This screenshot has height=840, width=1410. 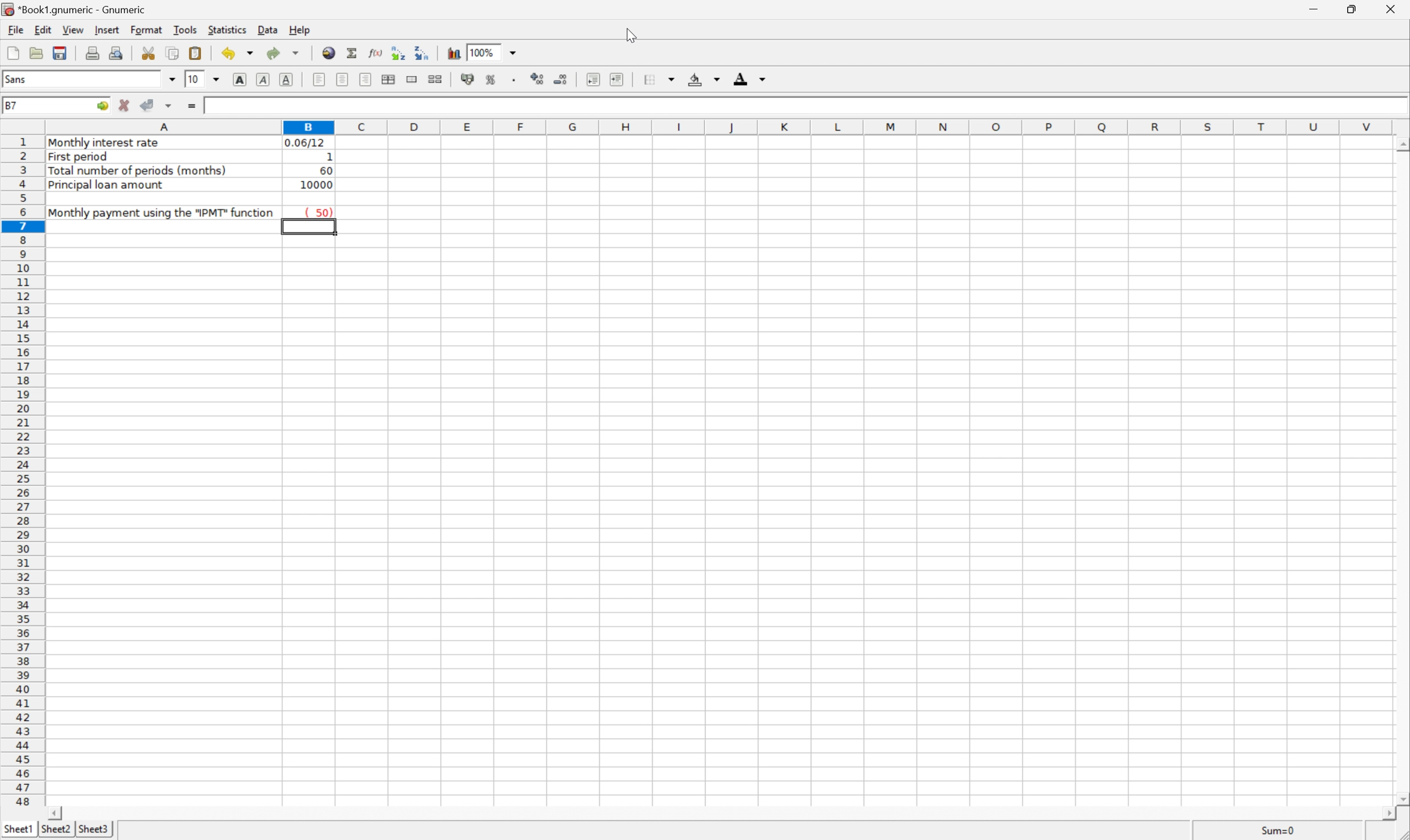 What do you see at coordinates (317, 79) in the screenshot?
I see `Align Left` at bounding box center [317, 79].